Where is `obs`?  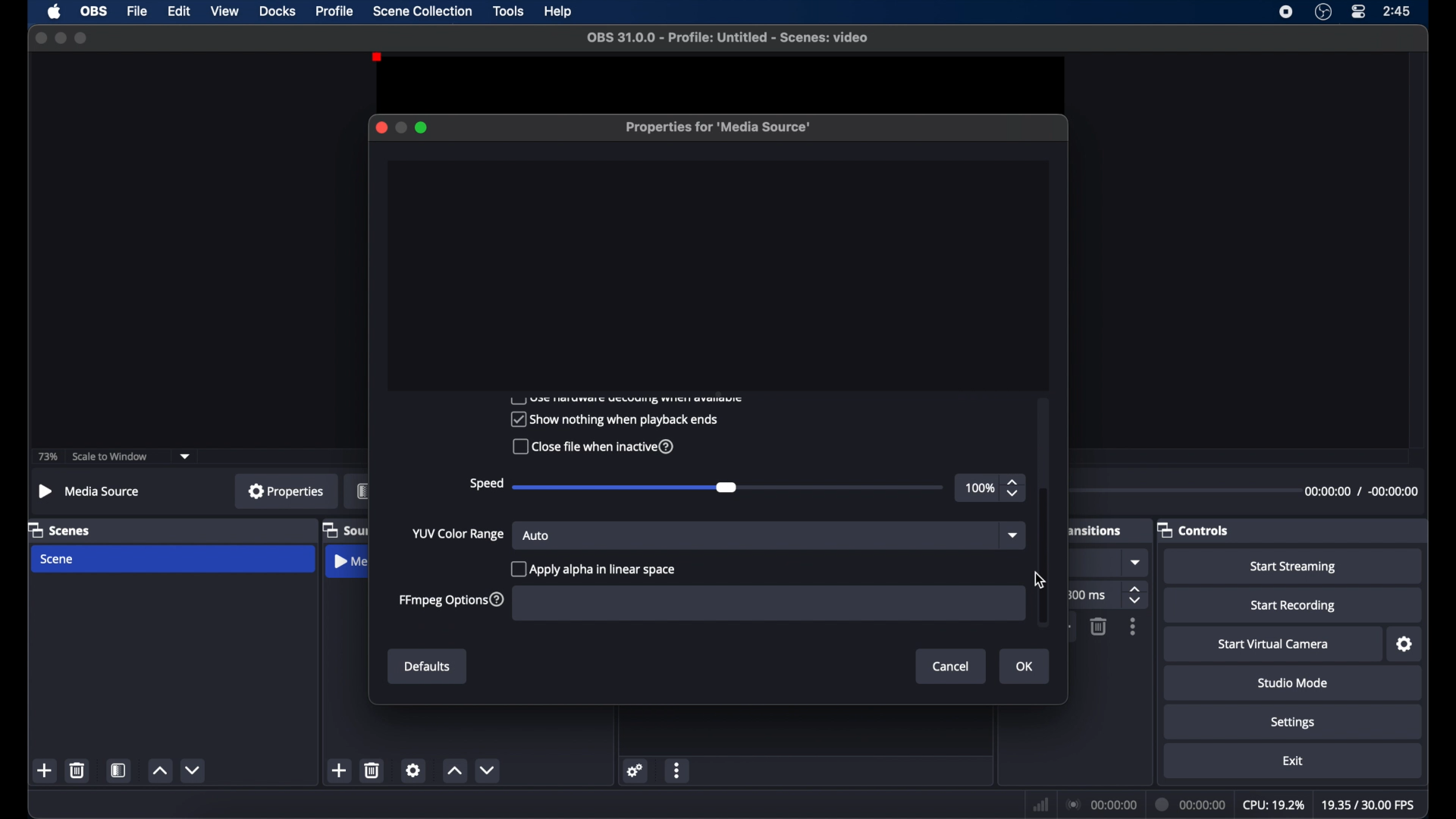 obs is located at coordinates (94, 11).